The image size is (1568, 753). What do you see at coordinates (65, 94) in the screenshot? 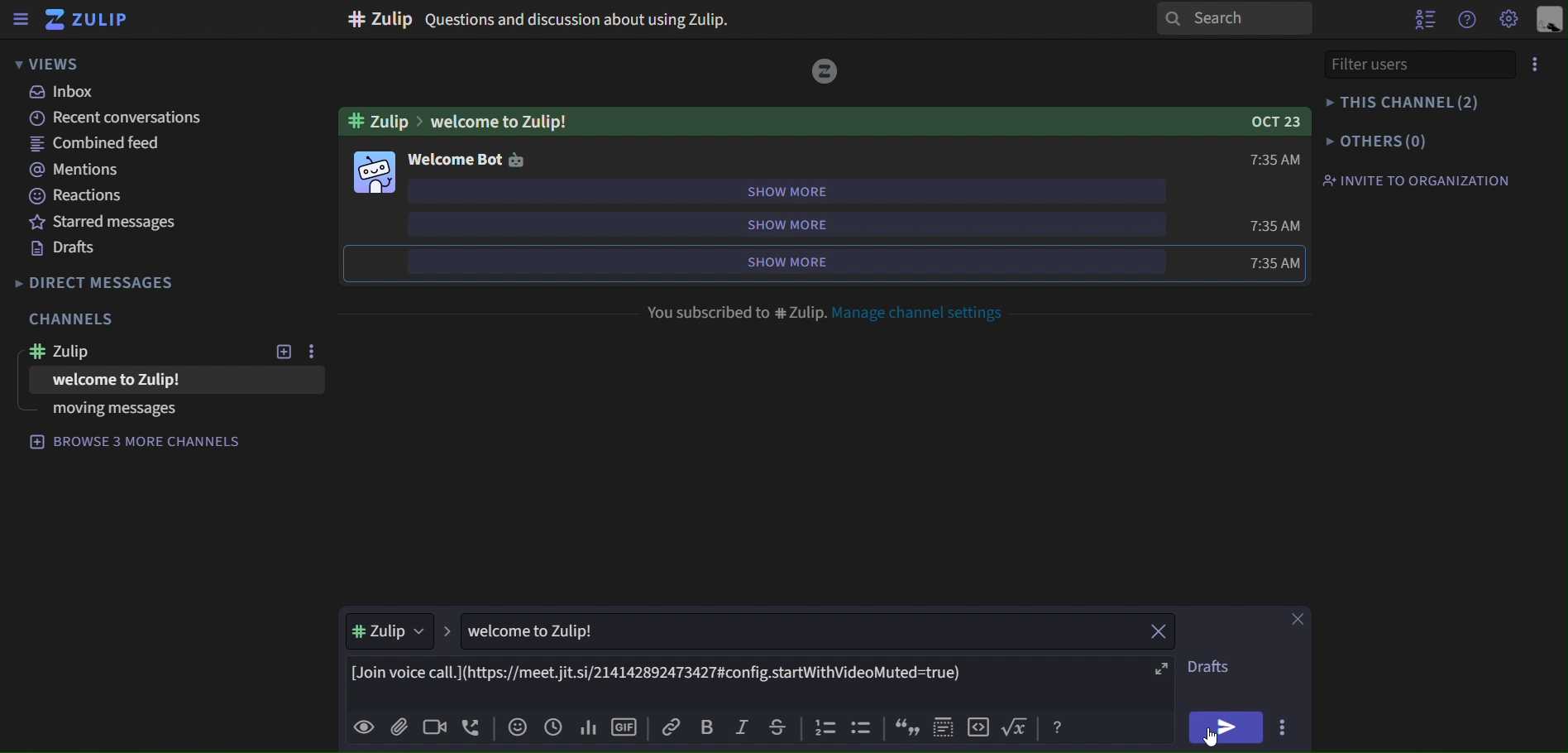
I see `inbox` at bounding box center [65, 94].